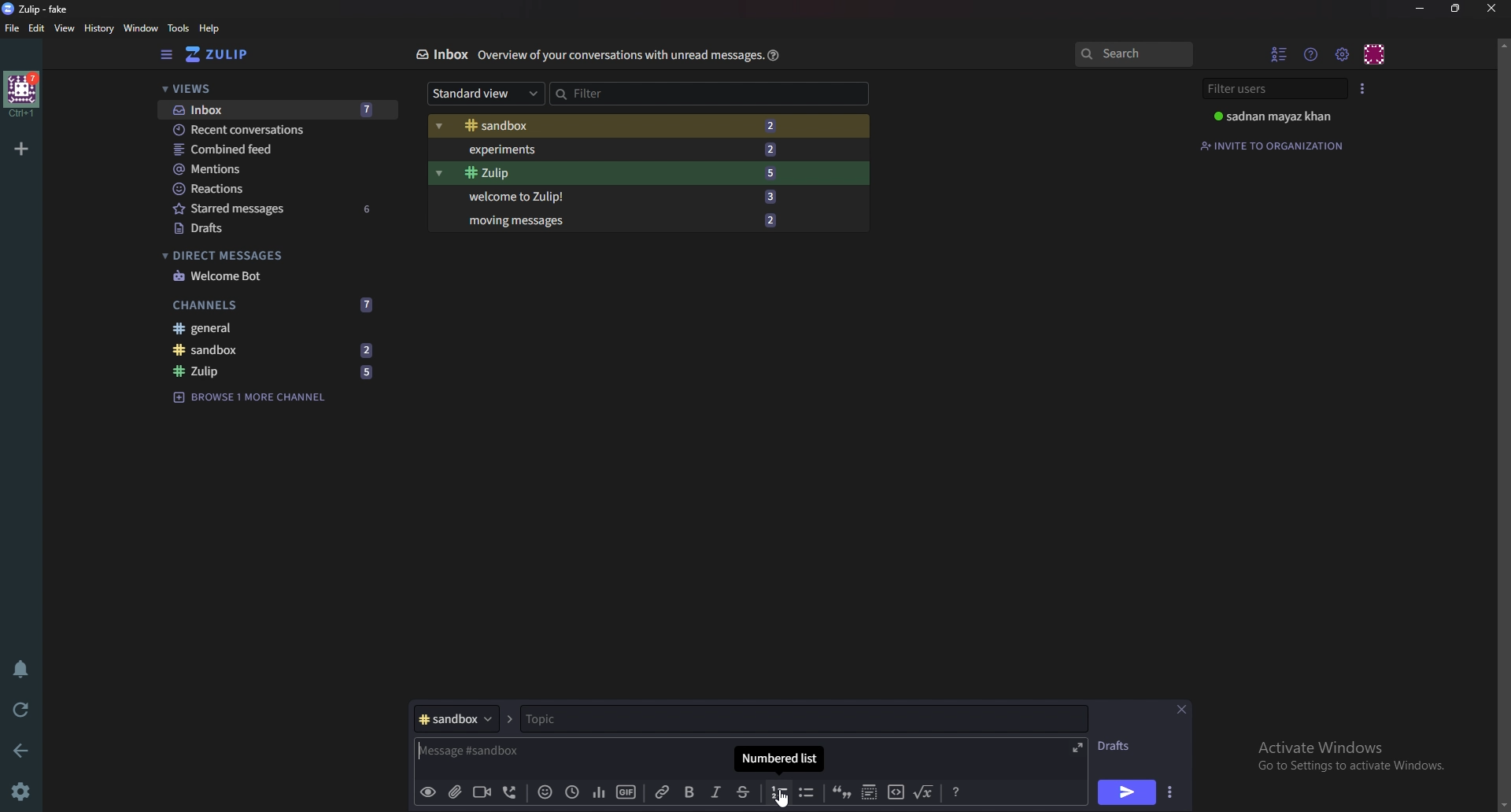 The image size is (1511, 812). Describe the element at coordinates (455, 719) in the screenshot. I see `Channel` at that location.